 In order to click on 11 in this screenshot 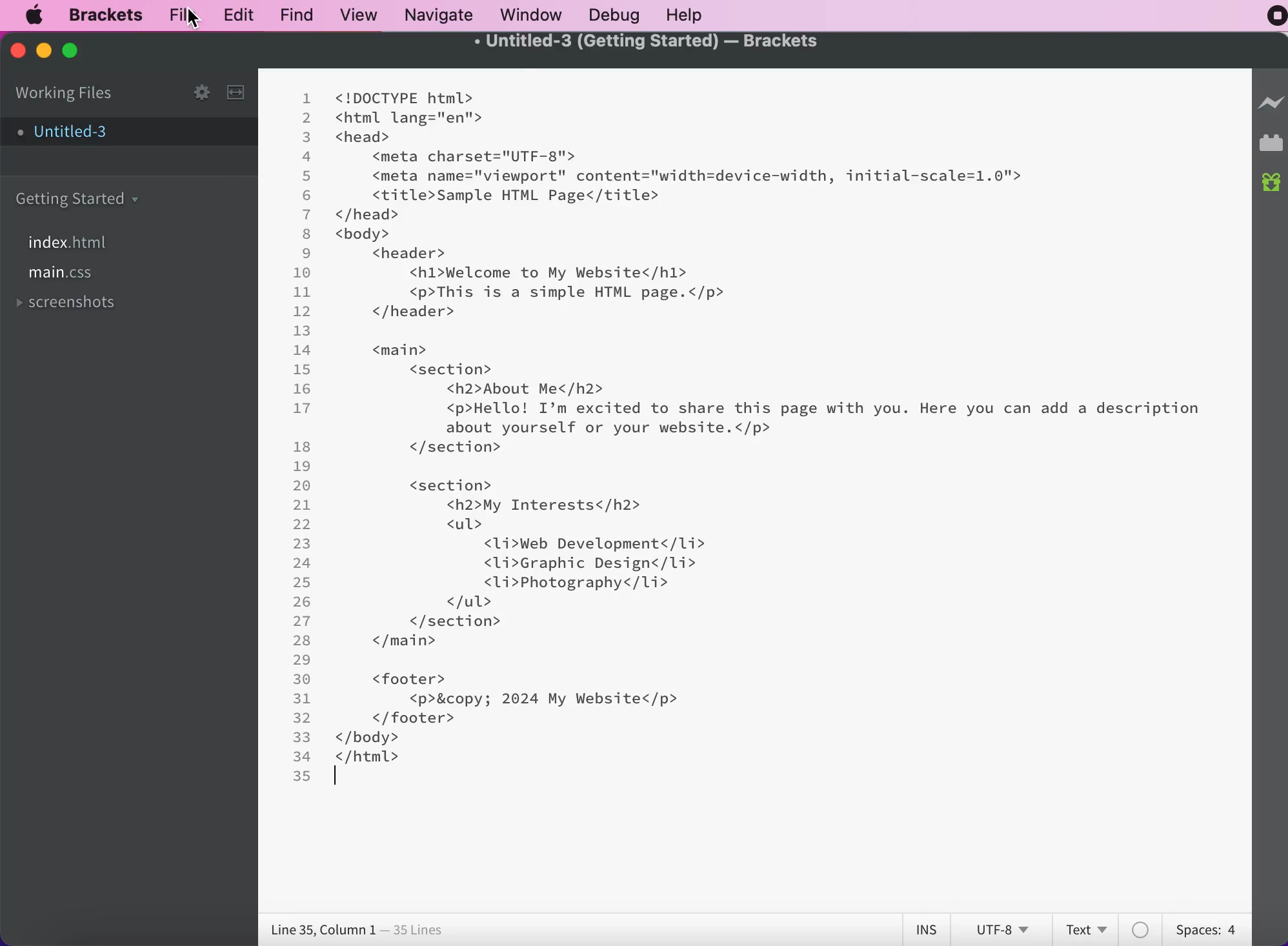, I will do `click(304, 292)`.